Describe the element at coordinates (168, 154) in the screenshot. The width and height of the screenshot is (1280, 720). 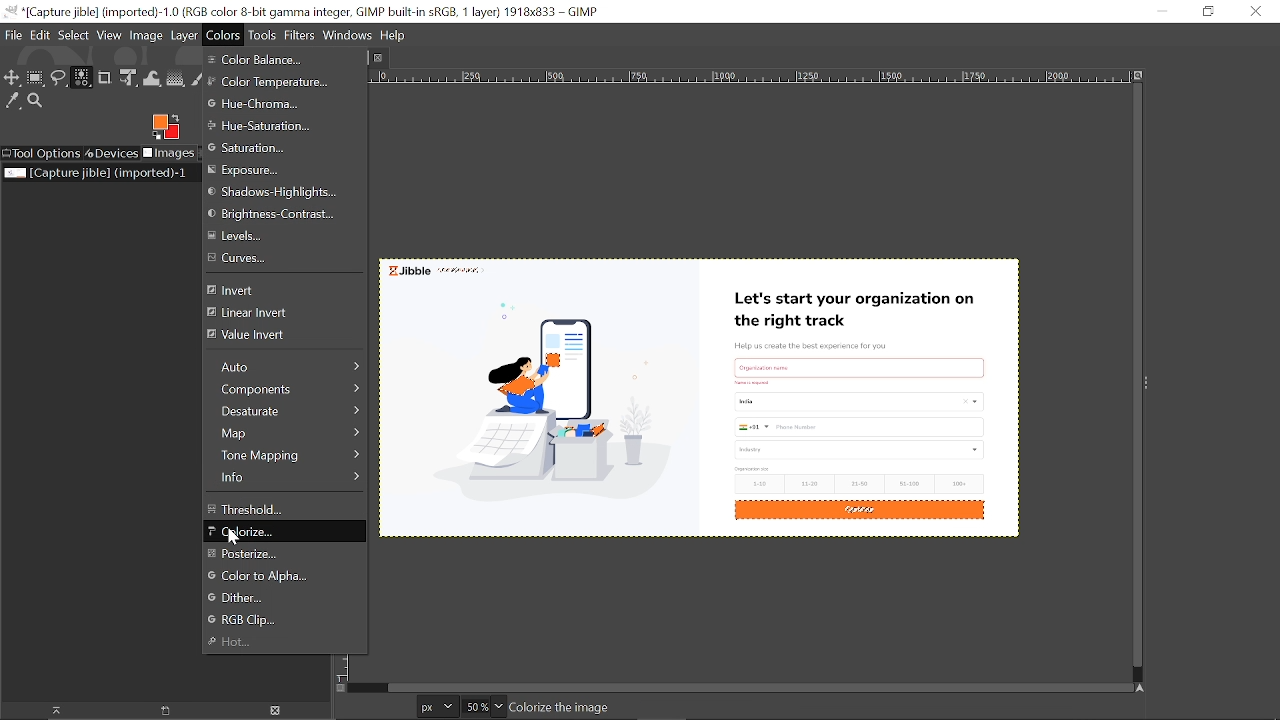
I see `Images` at that location.